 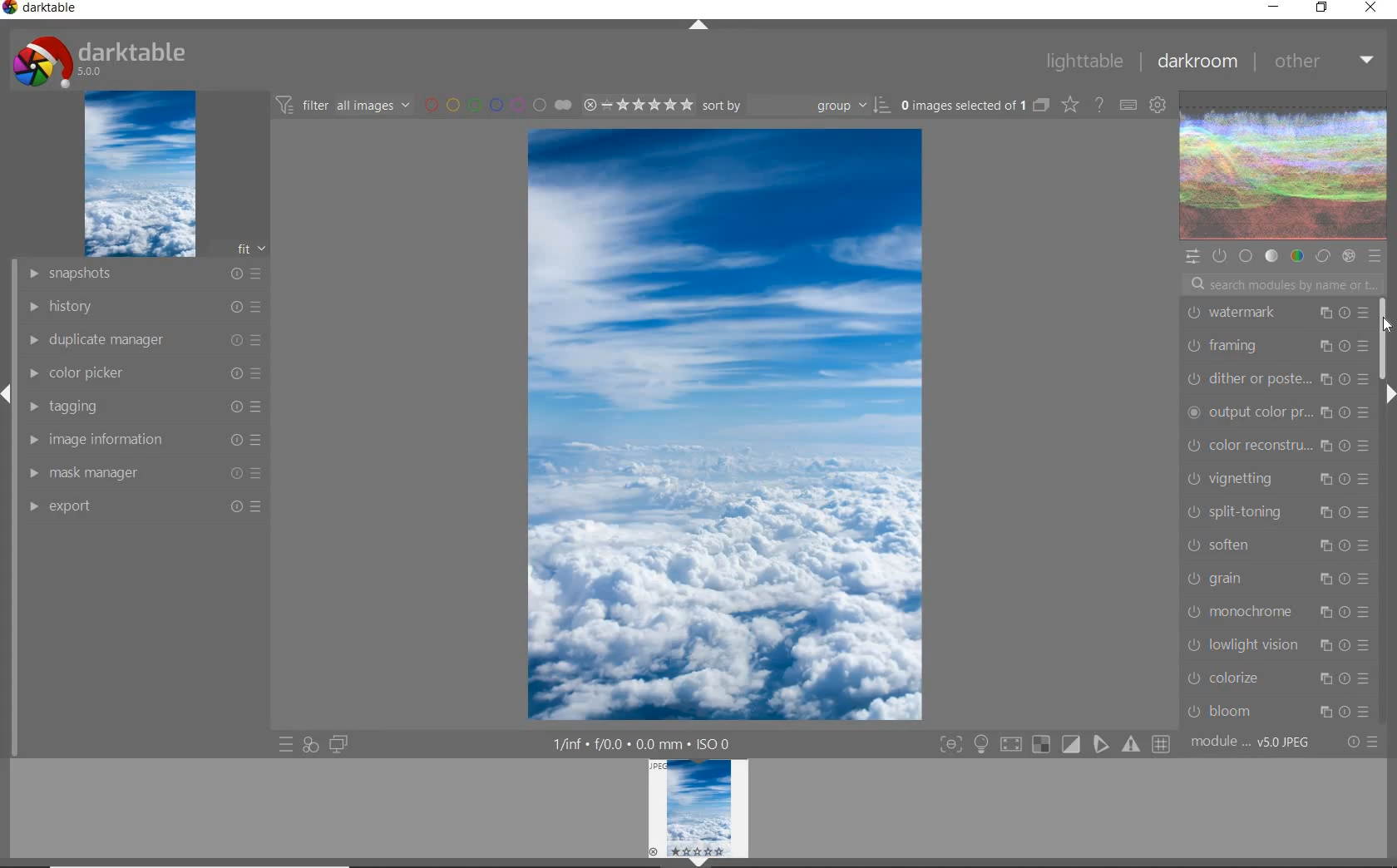 What do you see at coordinates (1321, 63) in the screenshot?
I see `OTHER` at bounding box center [1321, 63].